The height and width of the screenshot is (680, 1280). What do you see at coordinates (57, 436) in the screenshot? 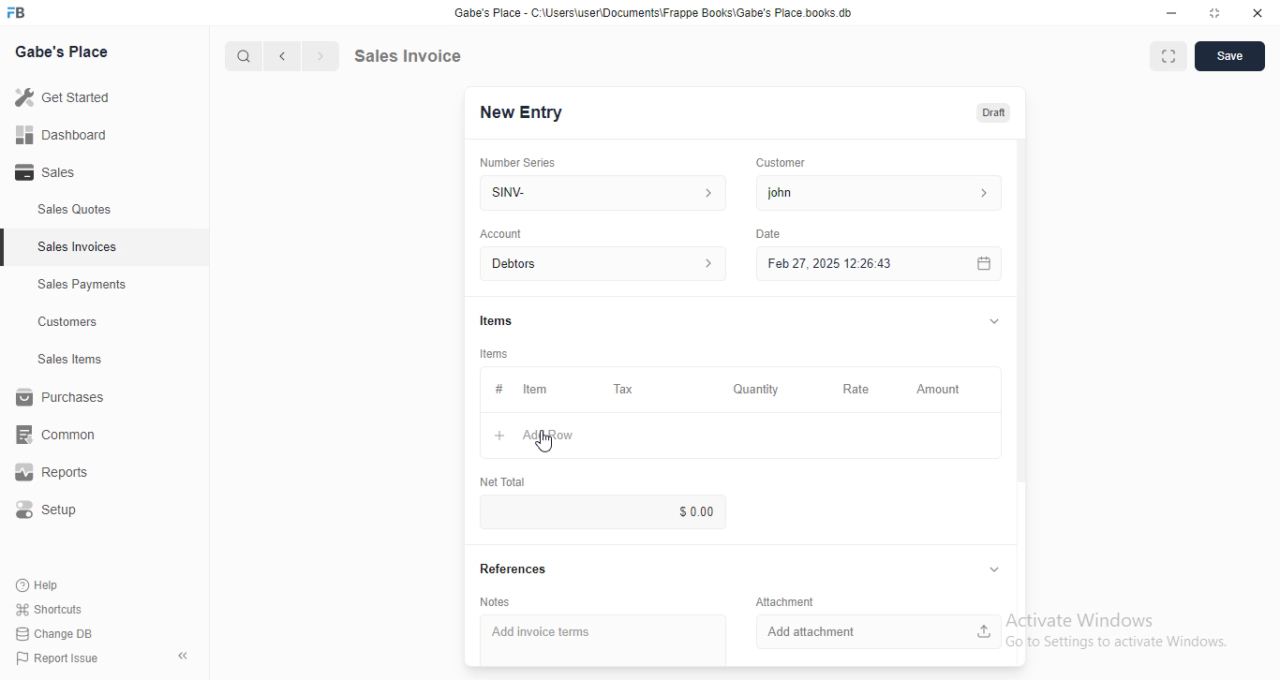
I see `common` at bounding box center [57, 436].